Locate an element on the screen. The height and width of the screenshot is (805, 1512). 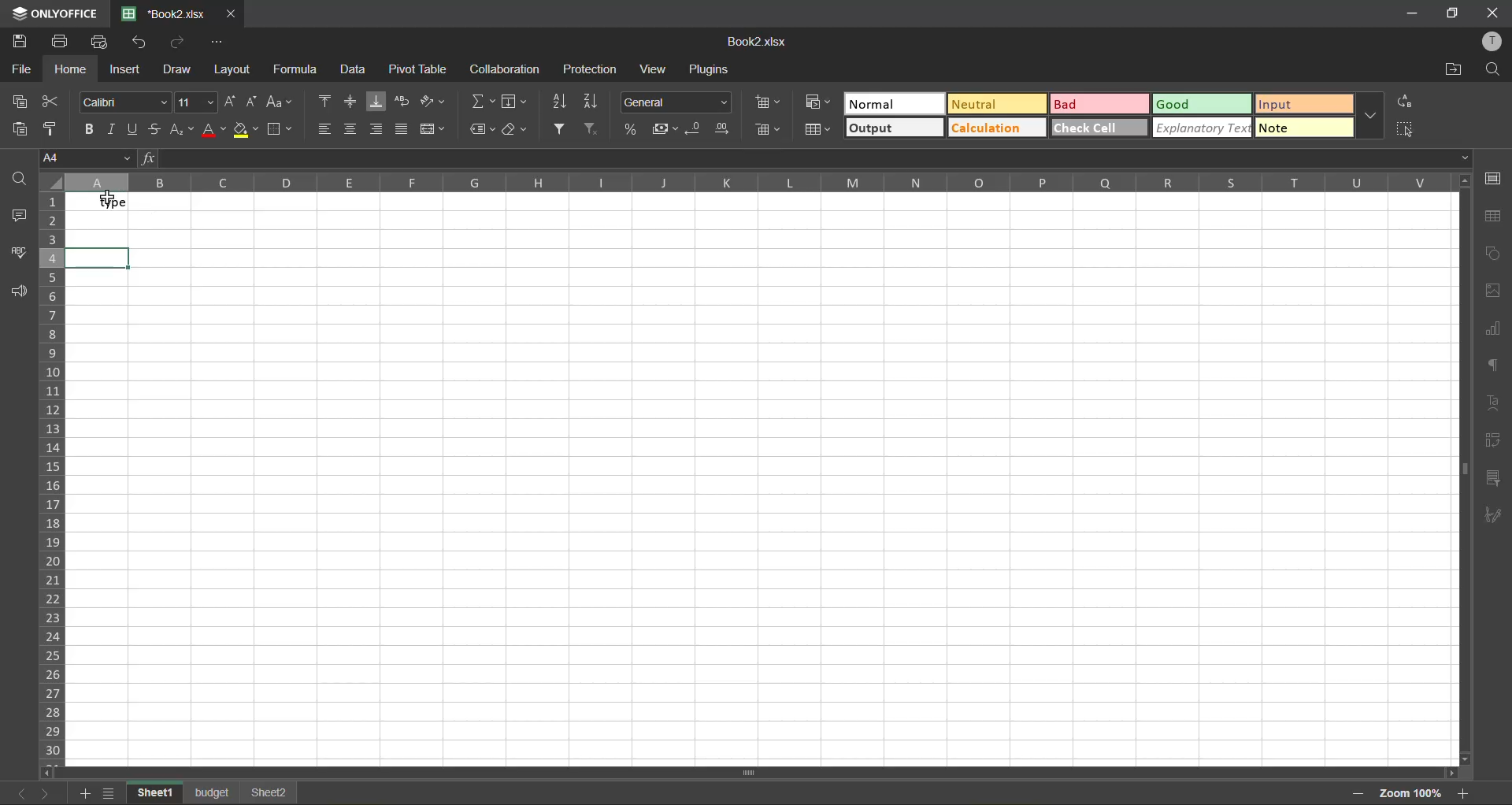
formula bar is located at coordinates (813, 158).